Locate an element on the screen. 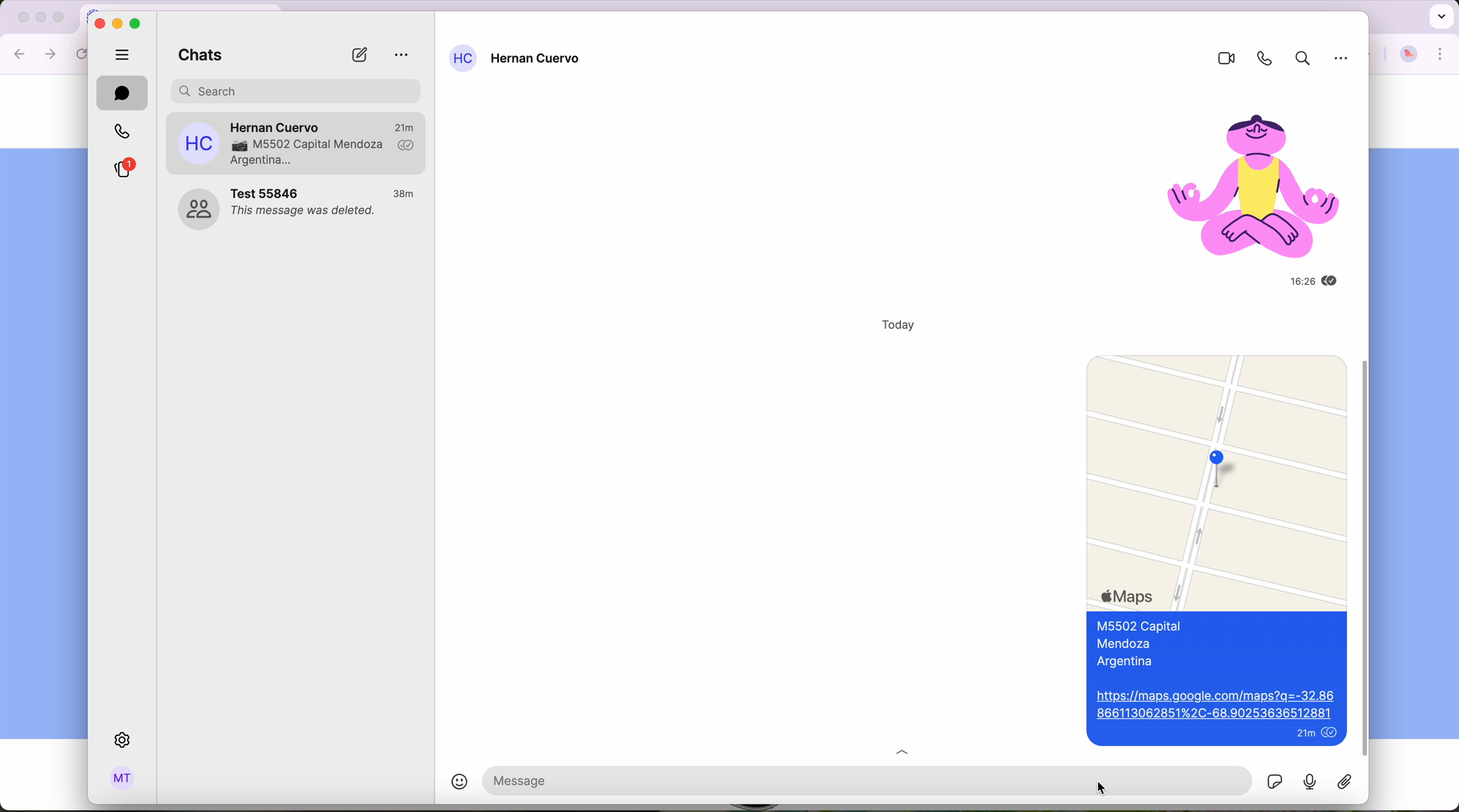 The image size is (1459, 812). seen is located at coordinates (1332, 734).